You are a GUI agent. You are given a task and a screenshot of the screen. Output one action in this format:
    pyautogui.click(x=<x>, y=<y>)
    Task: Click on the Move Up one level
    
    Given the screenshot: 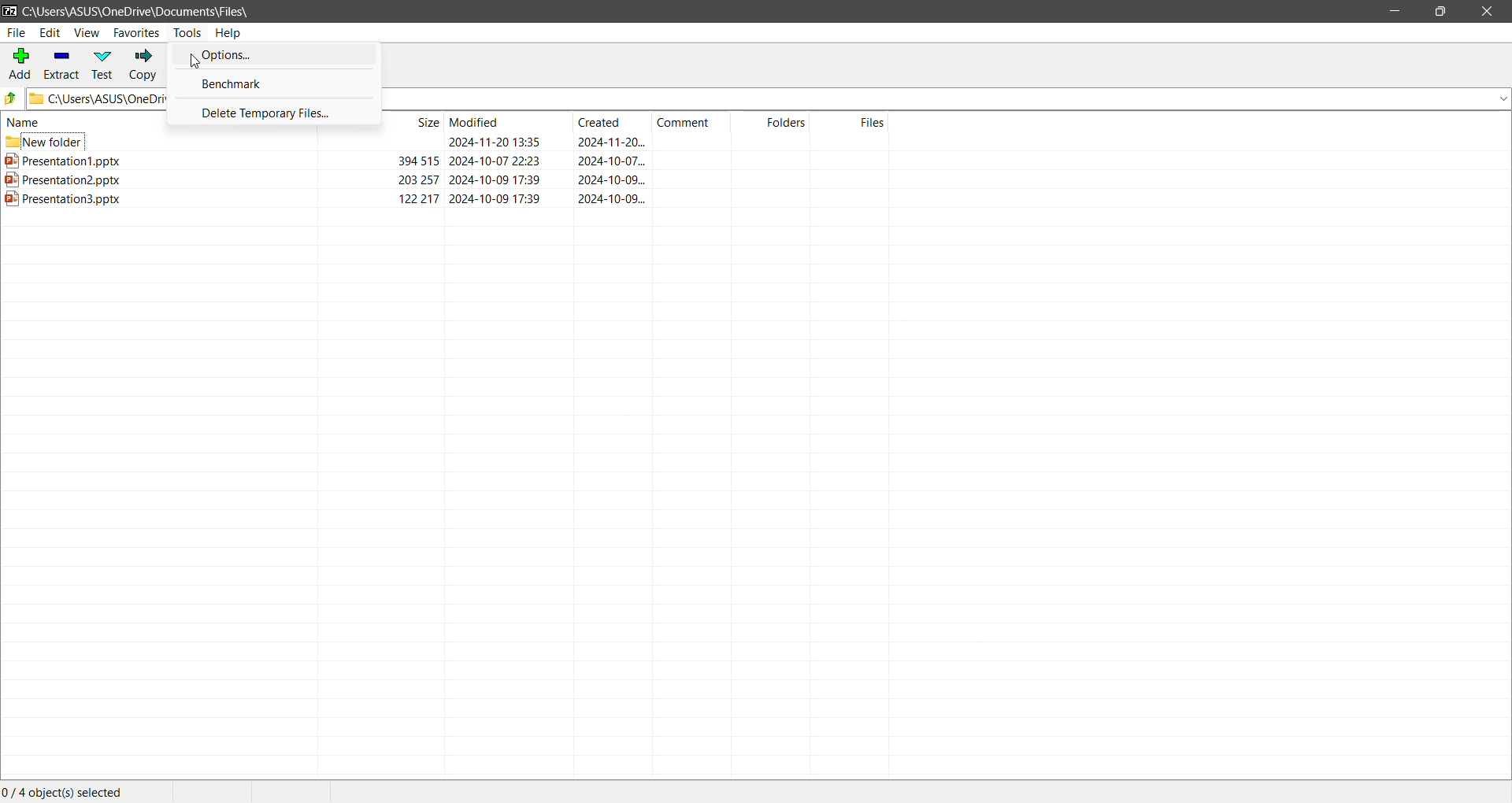 What is the action you would take?
    pyautogui.click(x=13, y=99)
    